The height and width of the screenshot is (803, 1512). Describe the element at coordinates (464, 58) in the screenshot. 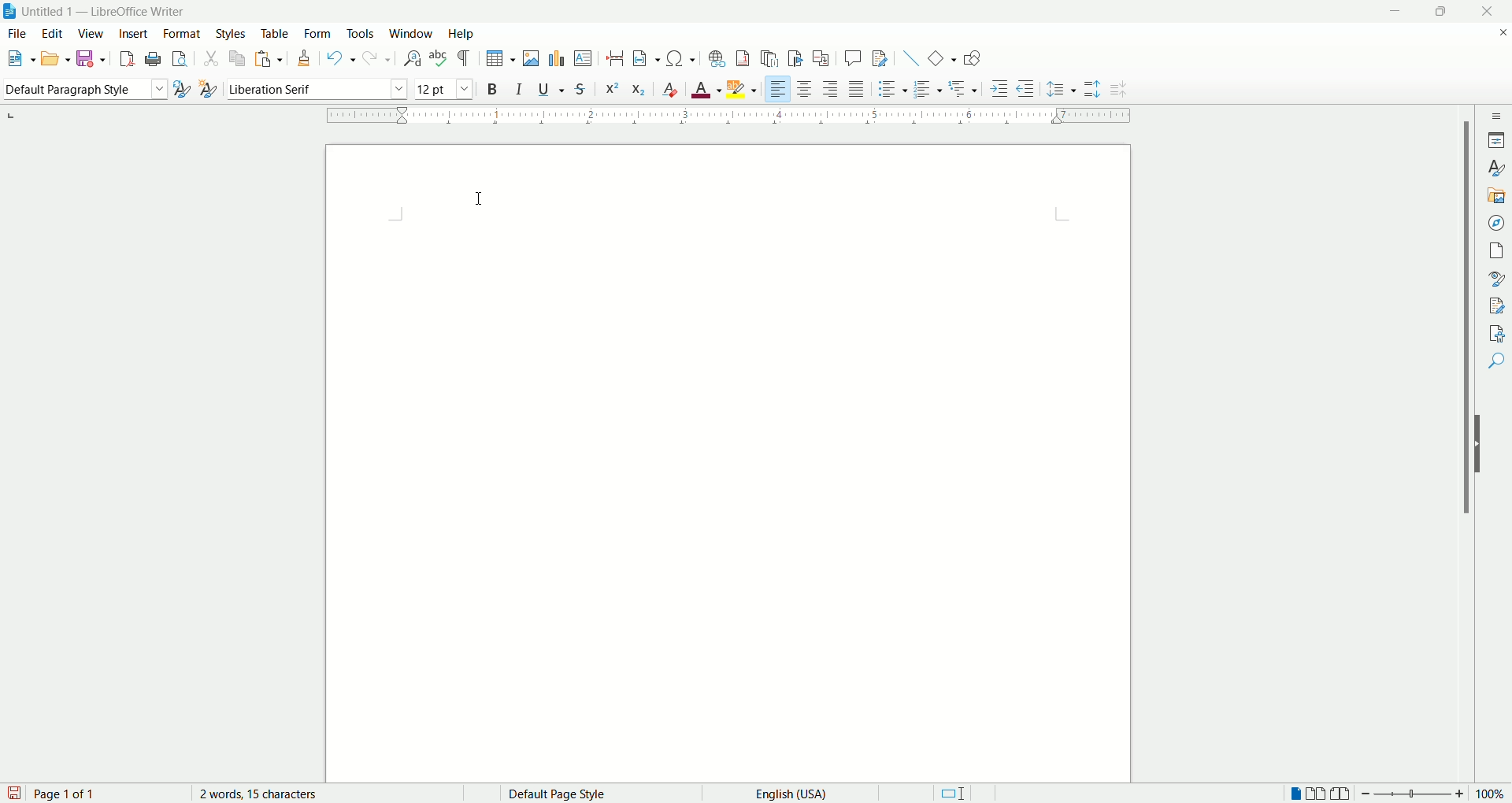

I see `formatting marks` at that location.